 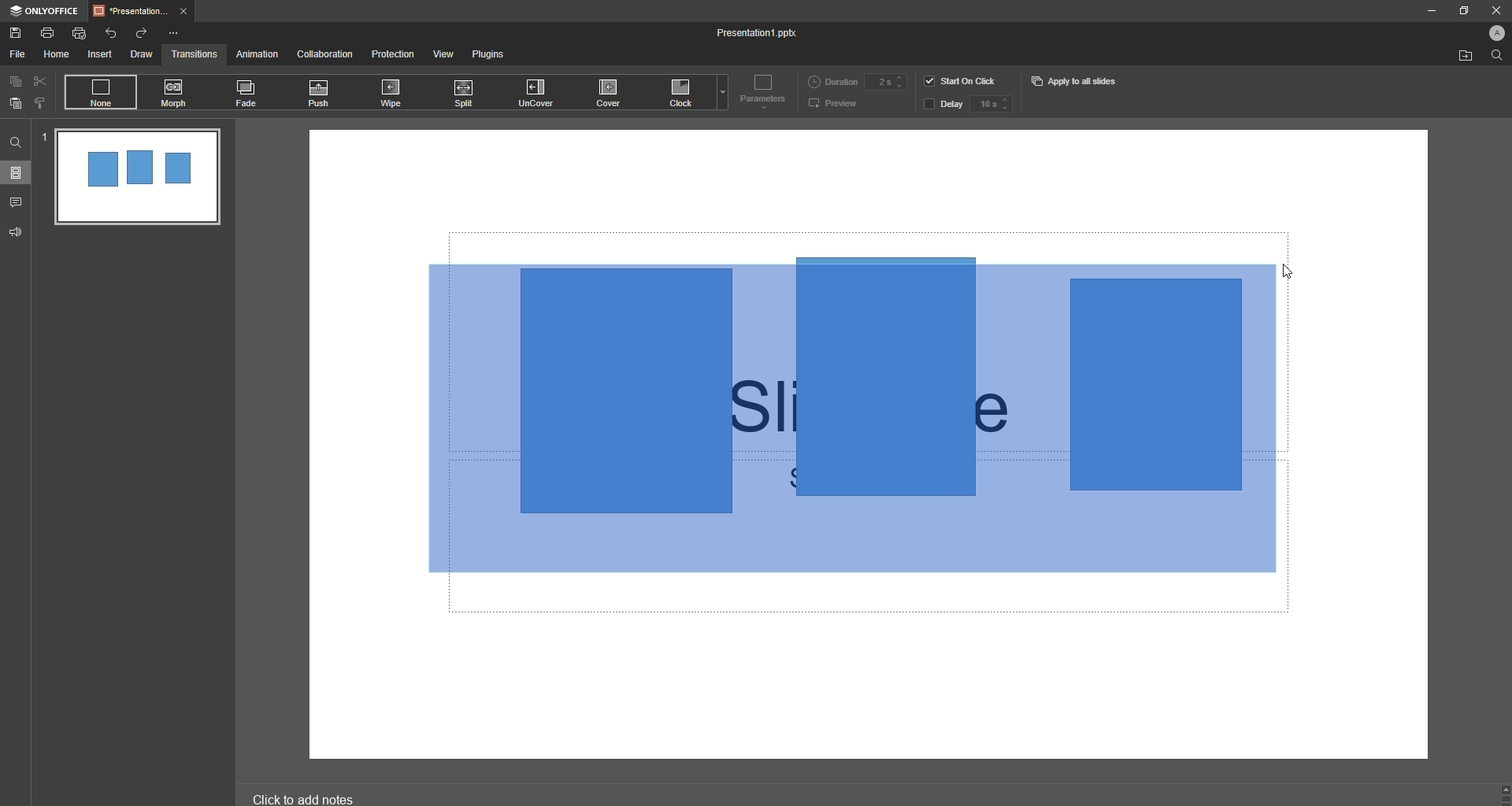 What do you see at coordinates (1430, 13) in the screenshot?
I see `Minimize` at bounding box center [1430, 13].